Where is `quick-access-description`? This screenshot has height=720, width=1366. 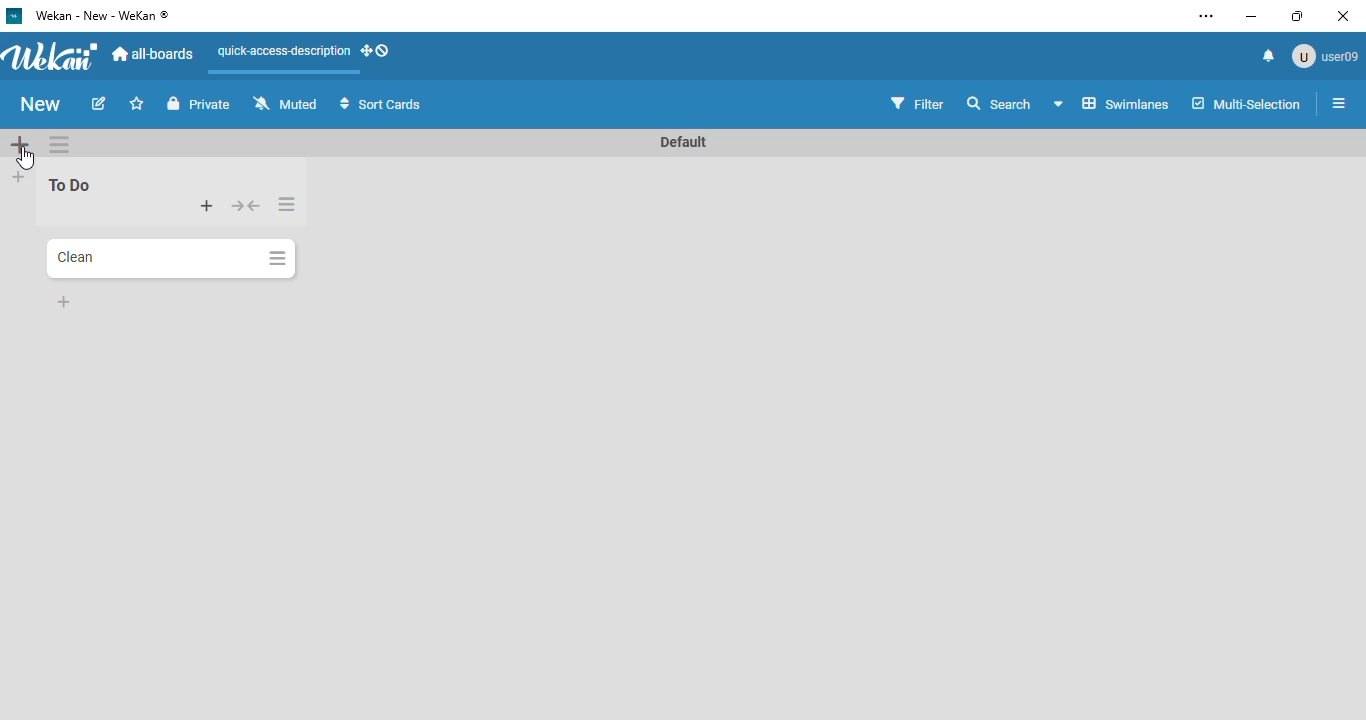
quick-access-description is located at coordinates (283, 51).